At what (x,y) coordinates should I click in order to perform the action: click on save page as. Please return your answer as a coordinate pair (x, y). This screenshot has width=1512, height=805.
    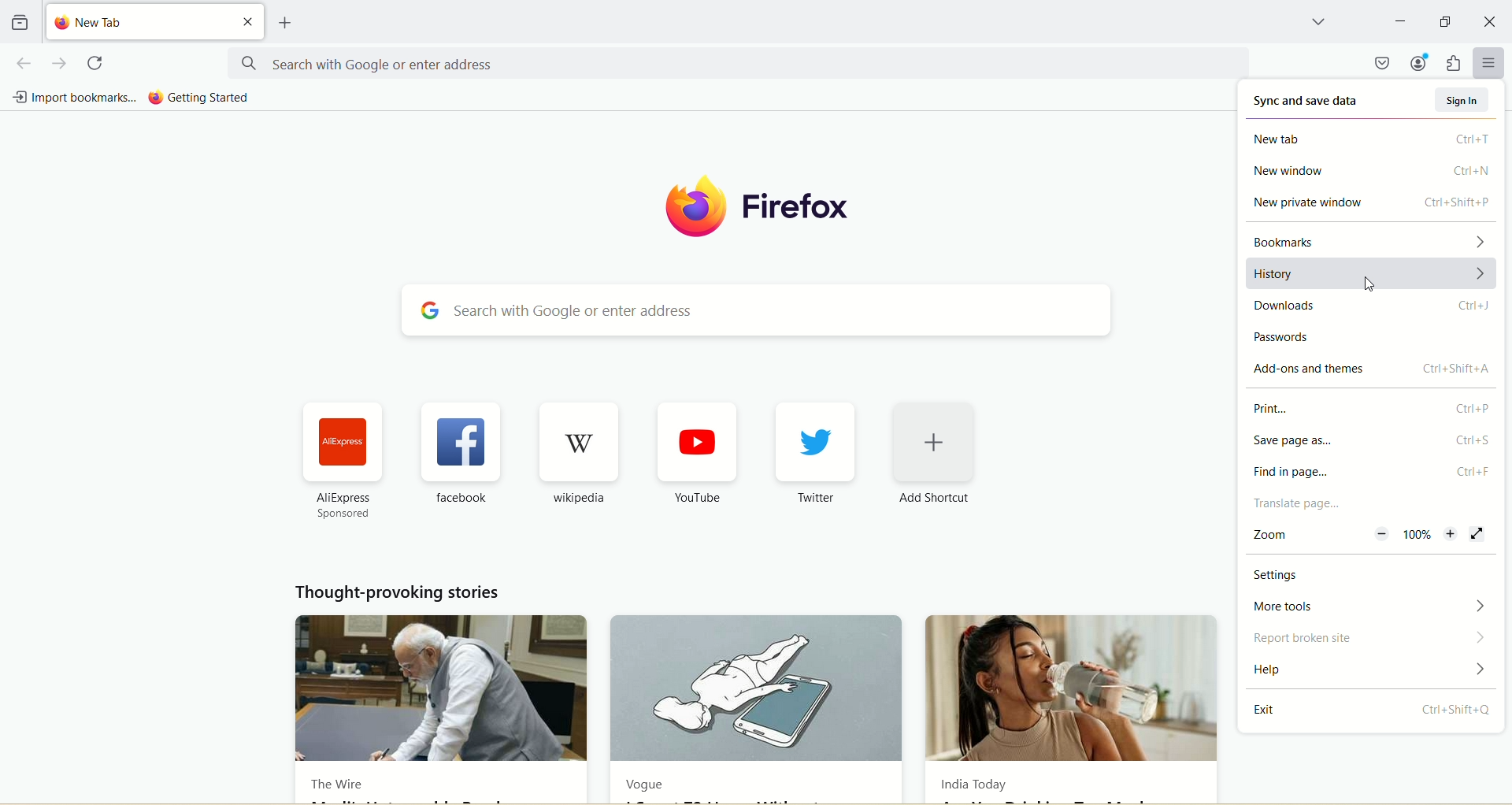
    Looking at the image, I should click on (1369, 442).